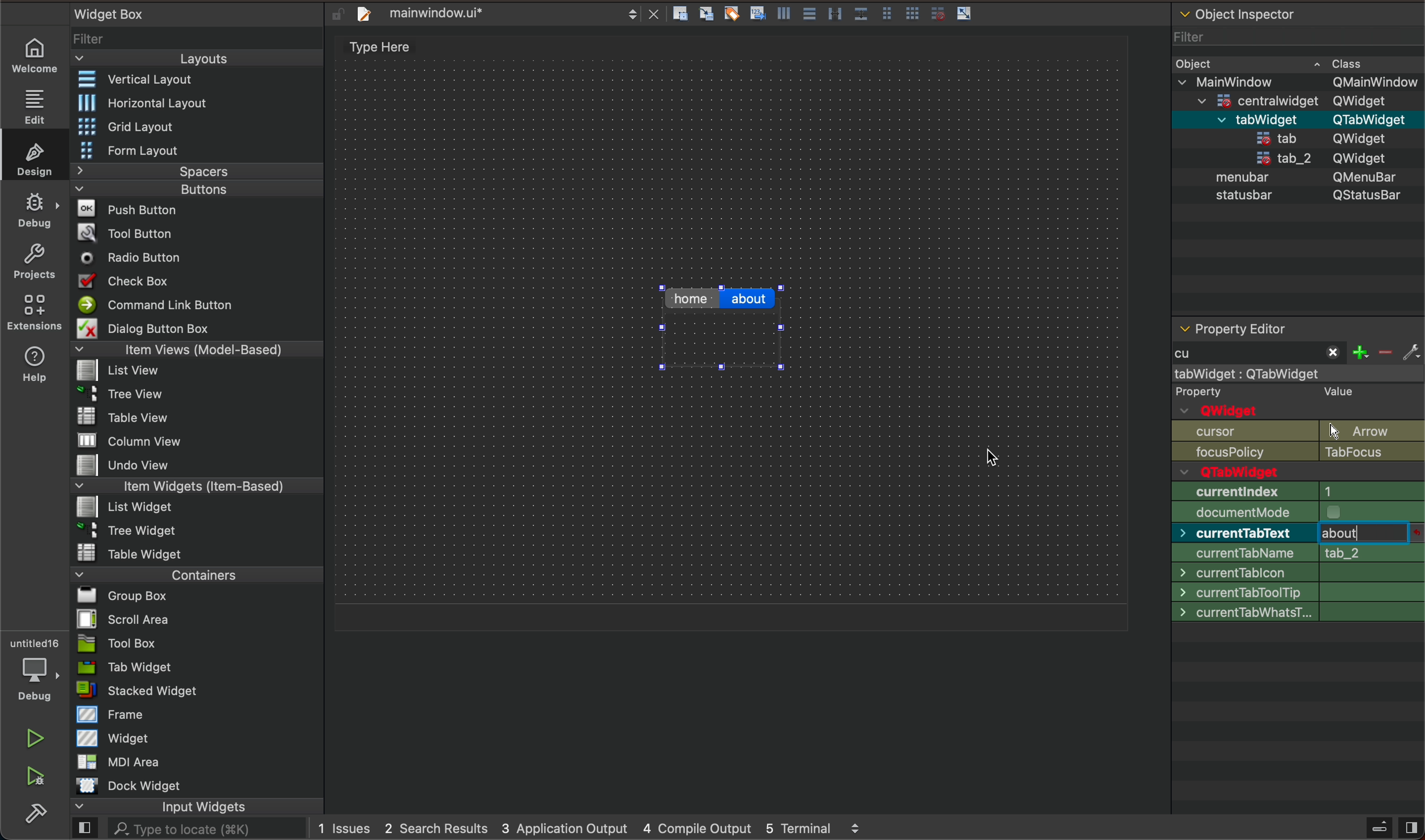  Describe the element at coordinates (1366, 532) in the screenshot. I see `click` at that location.